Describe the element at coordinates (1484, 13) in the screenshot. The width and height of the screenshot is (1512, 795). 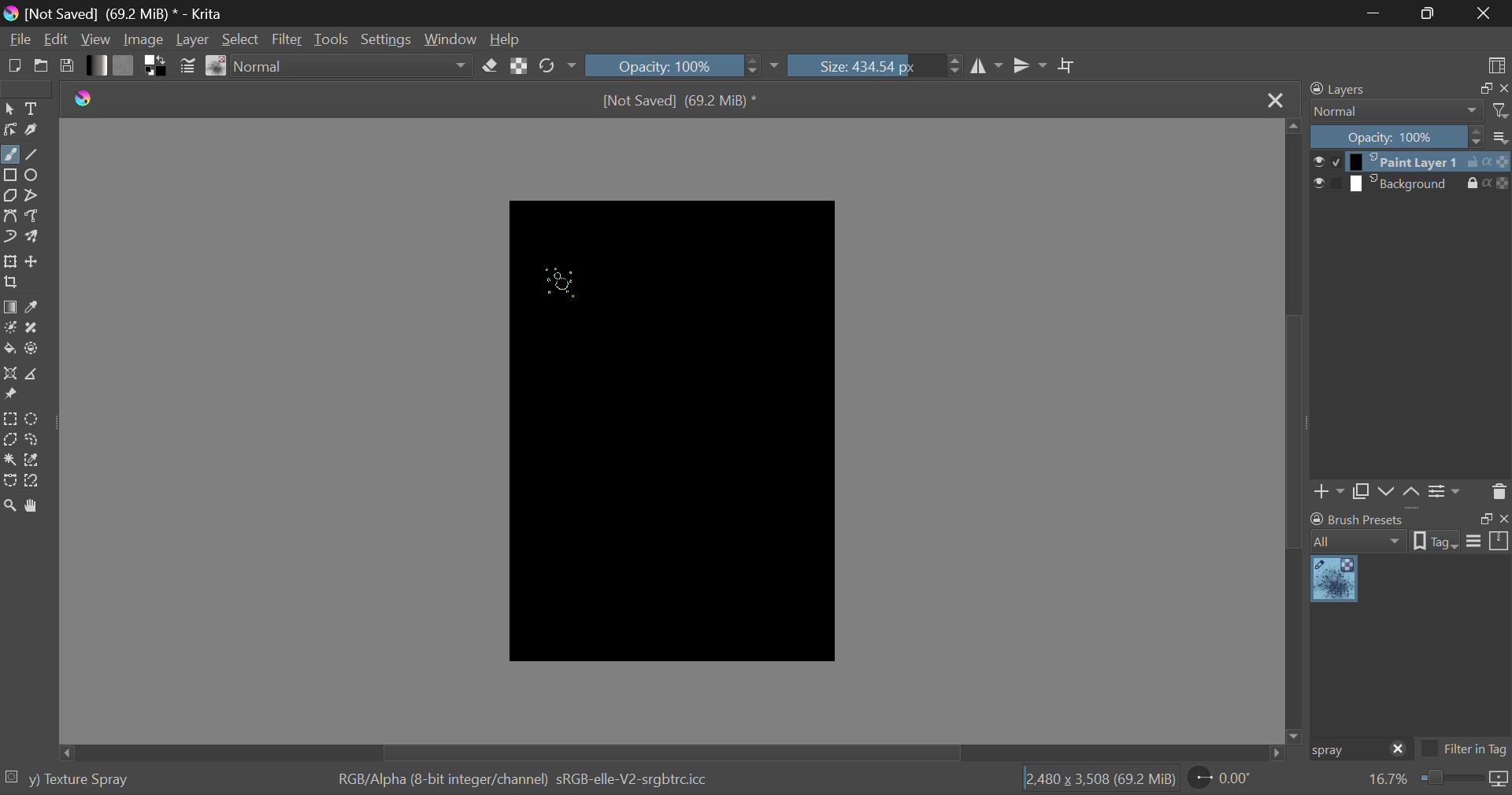
I see `Close` at that location.